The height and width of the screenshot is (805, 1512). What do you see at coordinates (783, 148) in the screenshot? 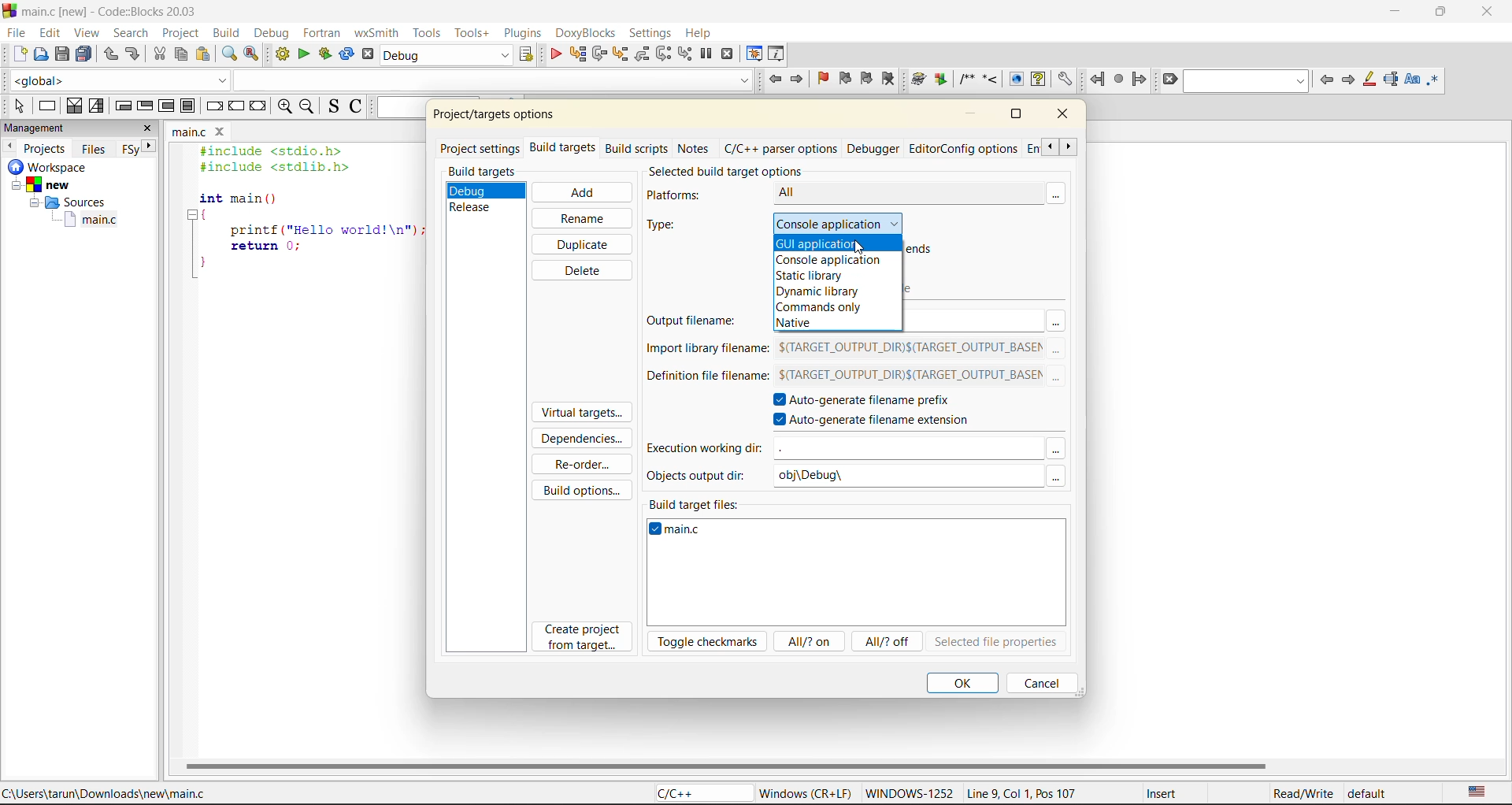
I see `c/c++ parser options` at bounding box center [783, 148].